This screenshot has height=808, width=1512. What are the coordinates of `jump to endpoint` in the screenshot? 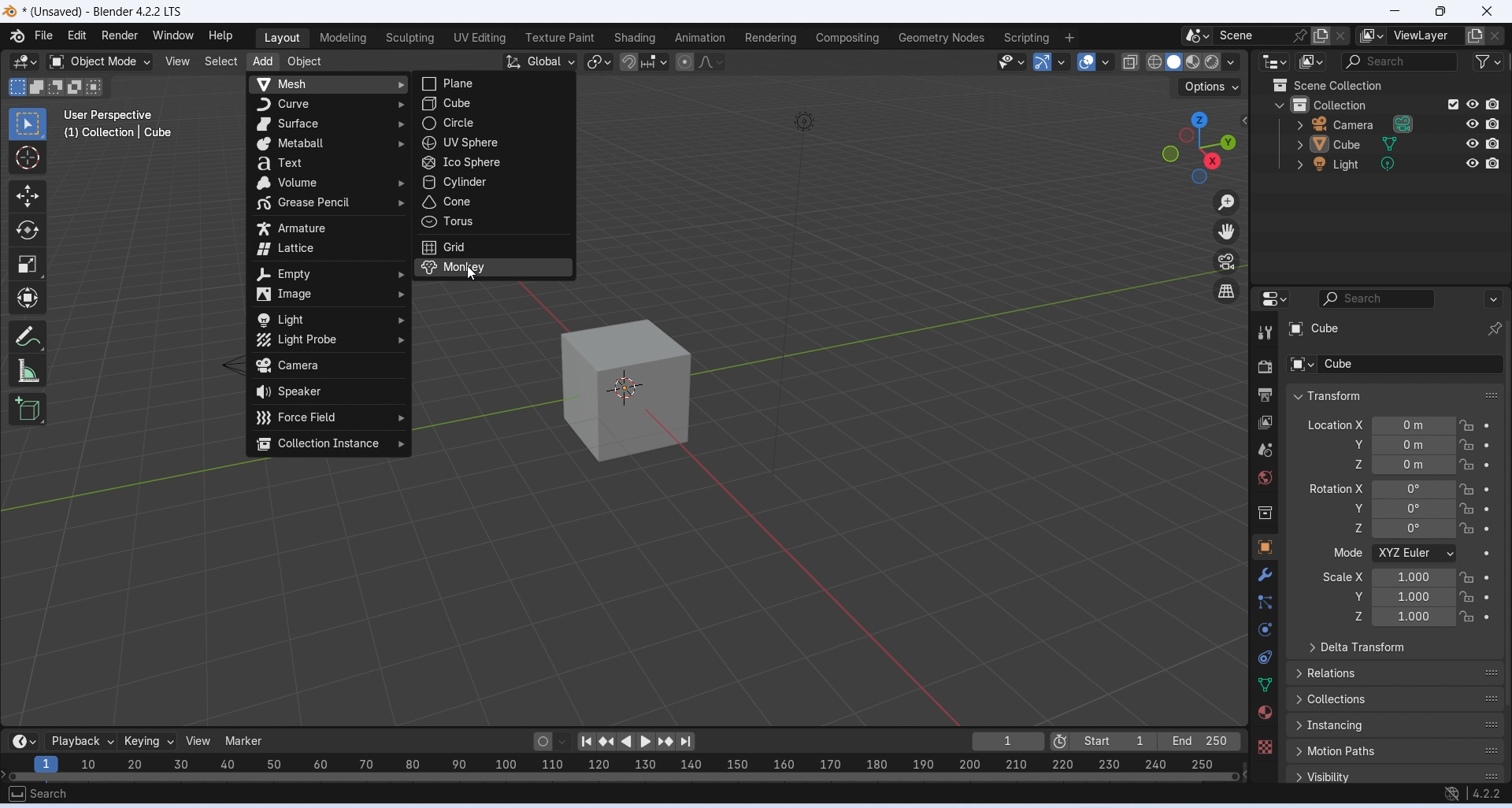 It's located at (586, 742).